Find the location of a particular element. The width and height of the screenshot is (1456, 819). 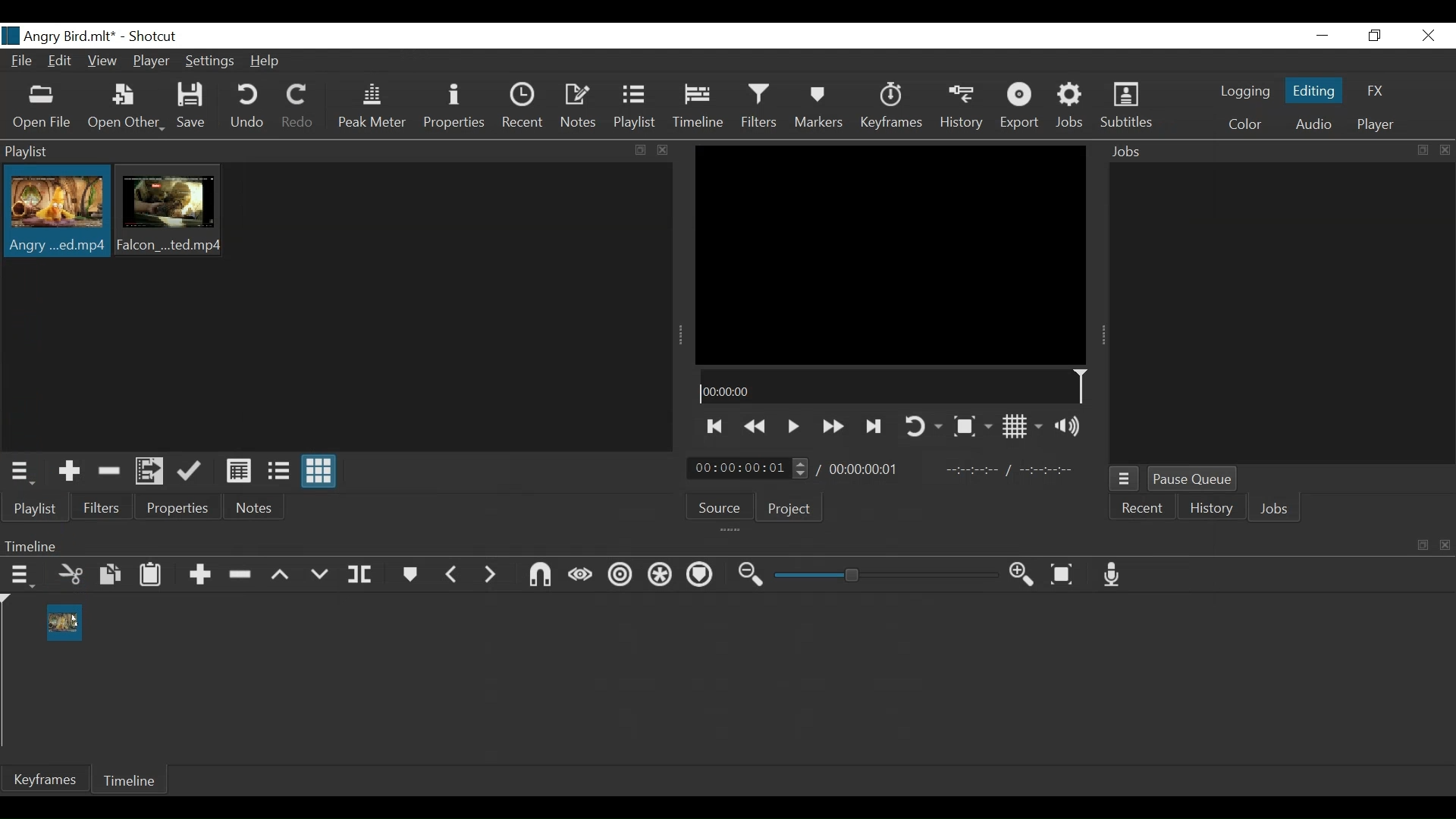

Media Viewer is located at coordinates (890, 255).